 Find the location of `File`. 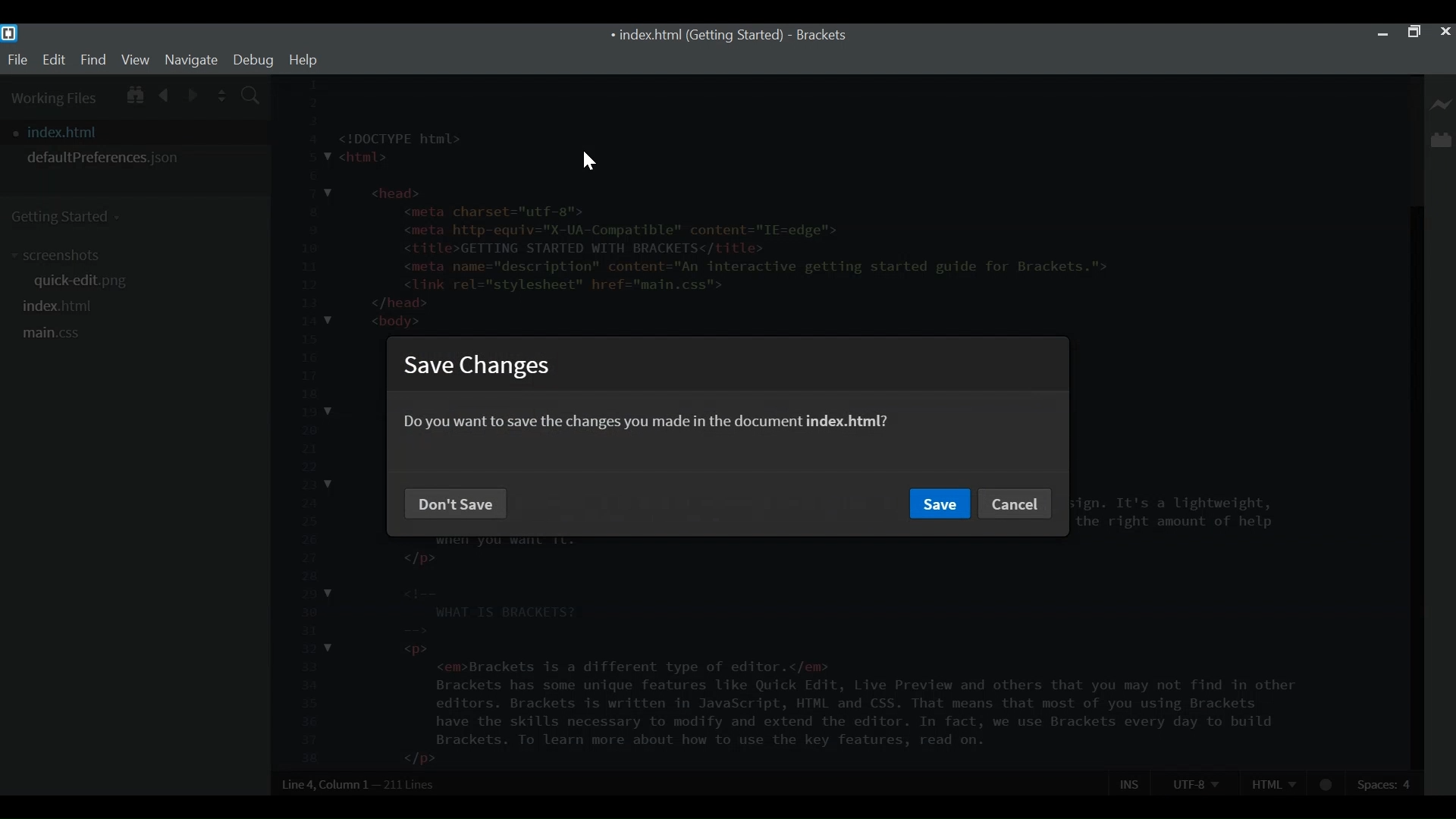

File is located at coordinates (17, 60).